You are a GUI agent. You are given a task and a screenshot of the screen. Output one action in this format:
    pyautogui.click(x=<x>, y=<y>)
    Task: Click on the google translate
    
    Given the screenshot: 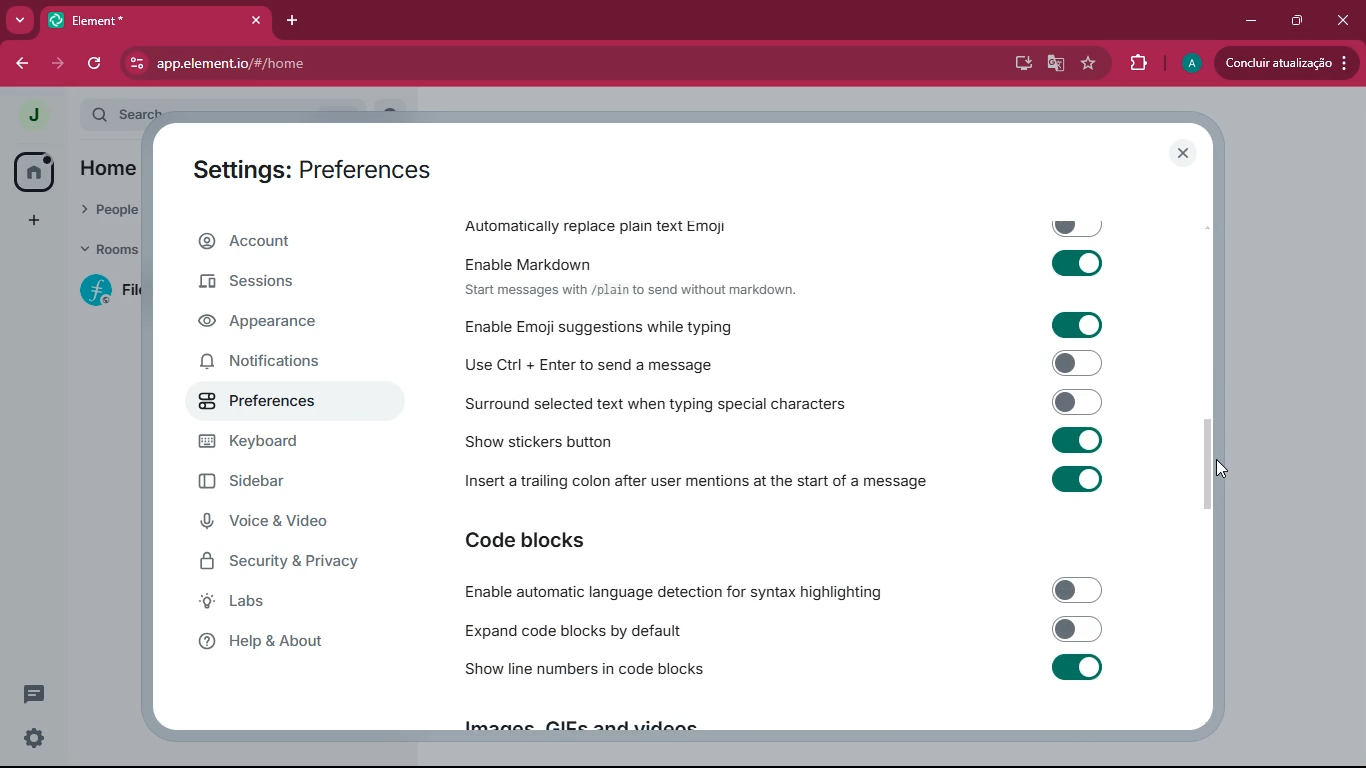 What is the action you would take?
    pyautogui.click(x=1056, y=63)
    